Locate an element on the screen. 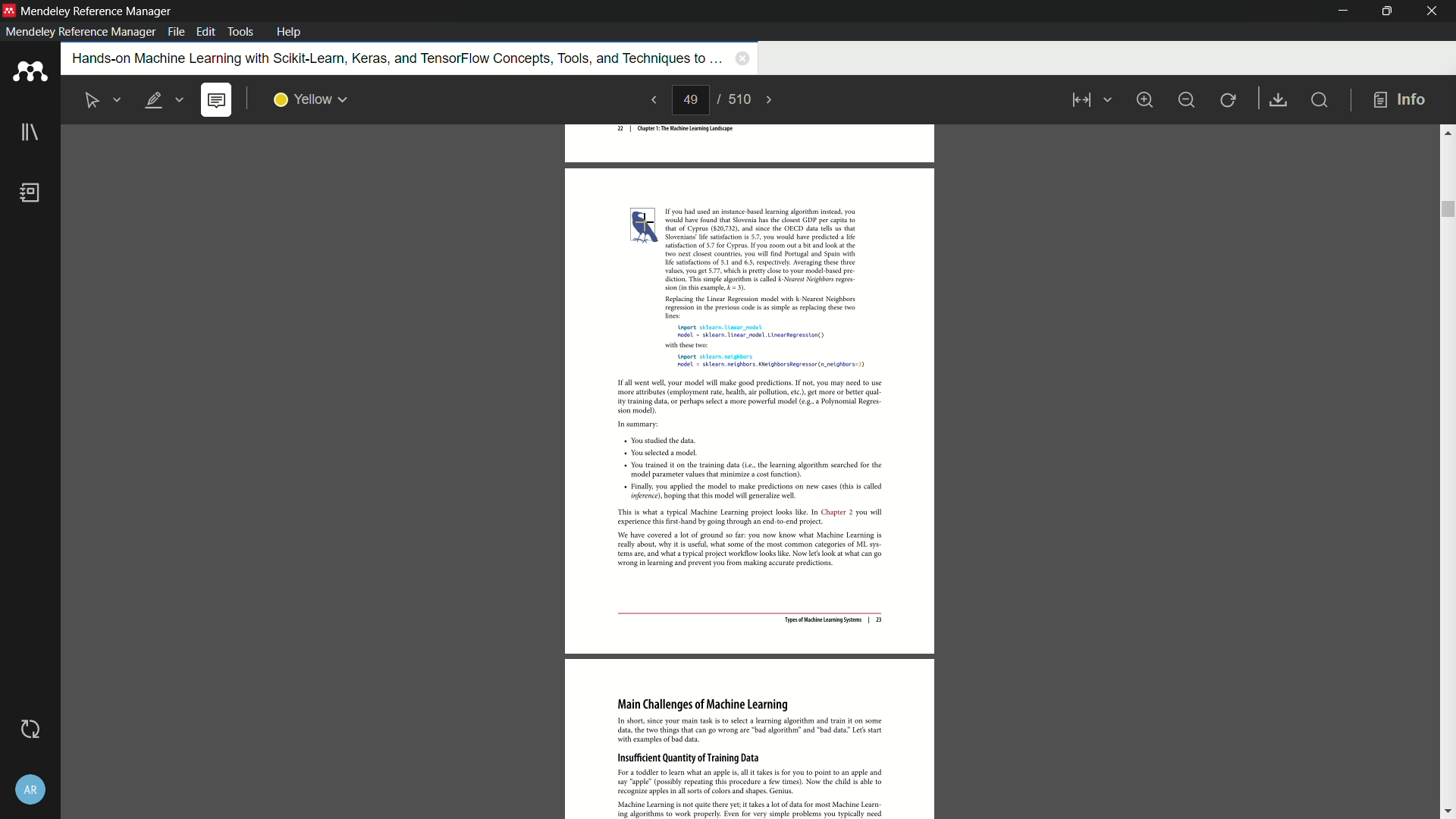 The image size is (1456, 819). tools menu is located at coordinates (242, 30).